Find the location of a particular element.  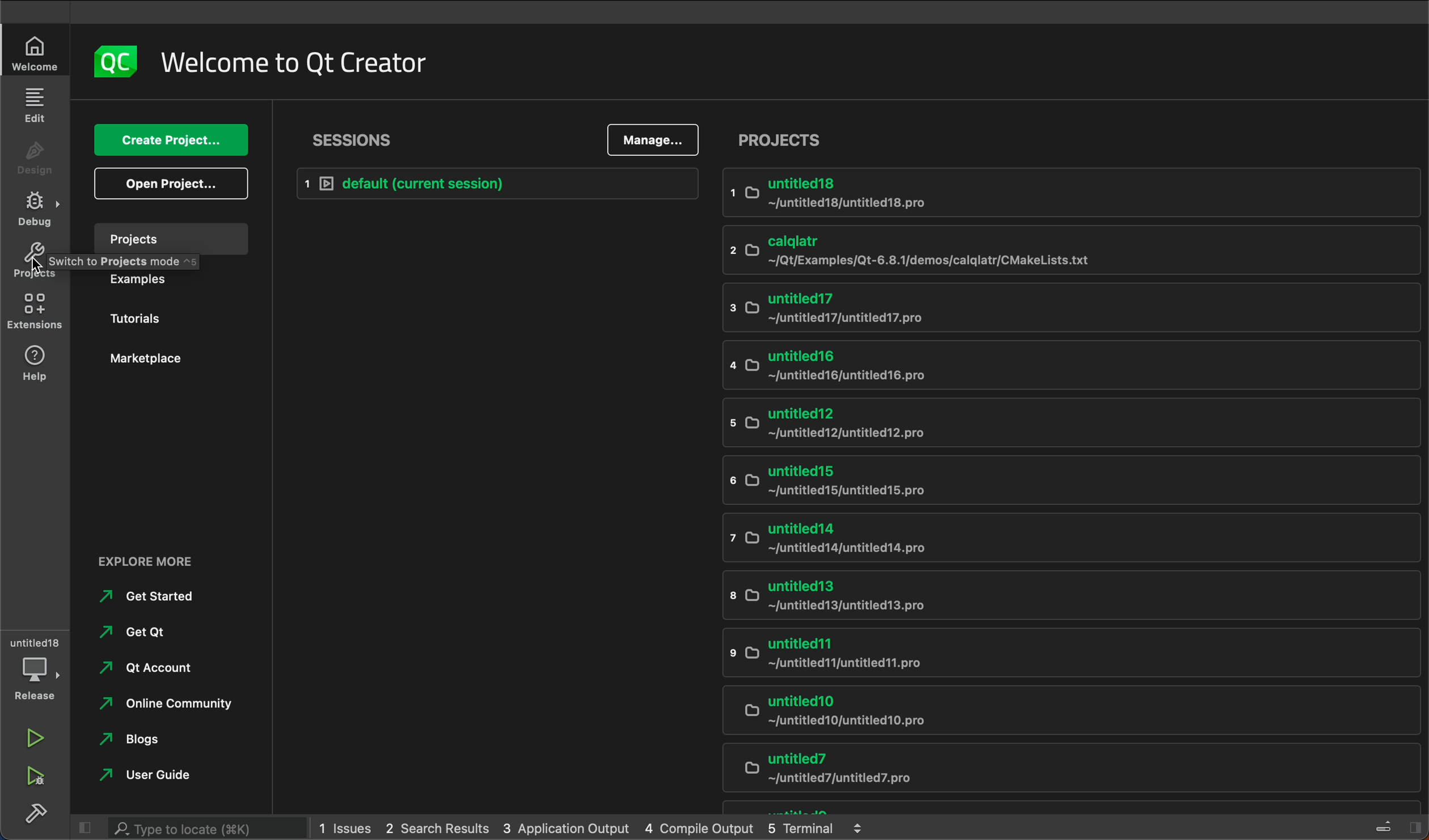

cursor is located at coordinates (39, 268).